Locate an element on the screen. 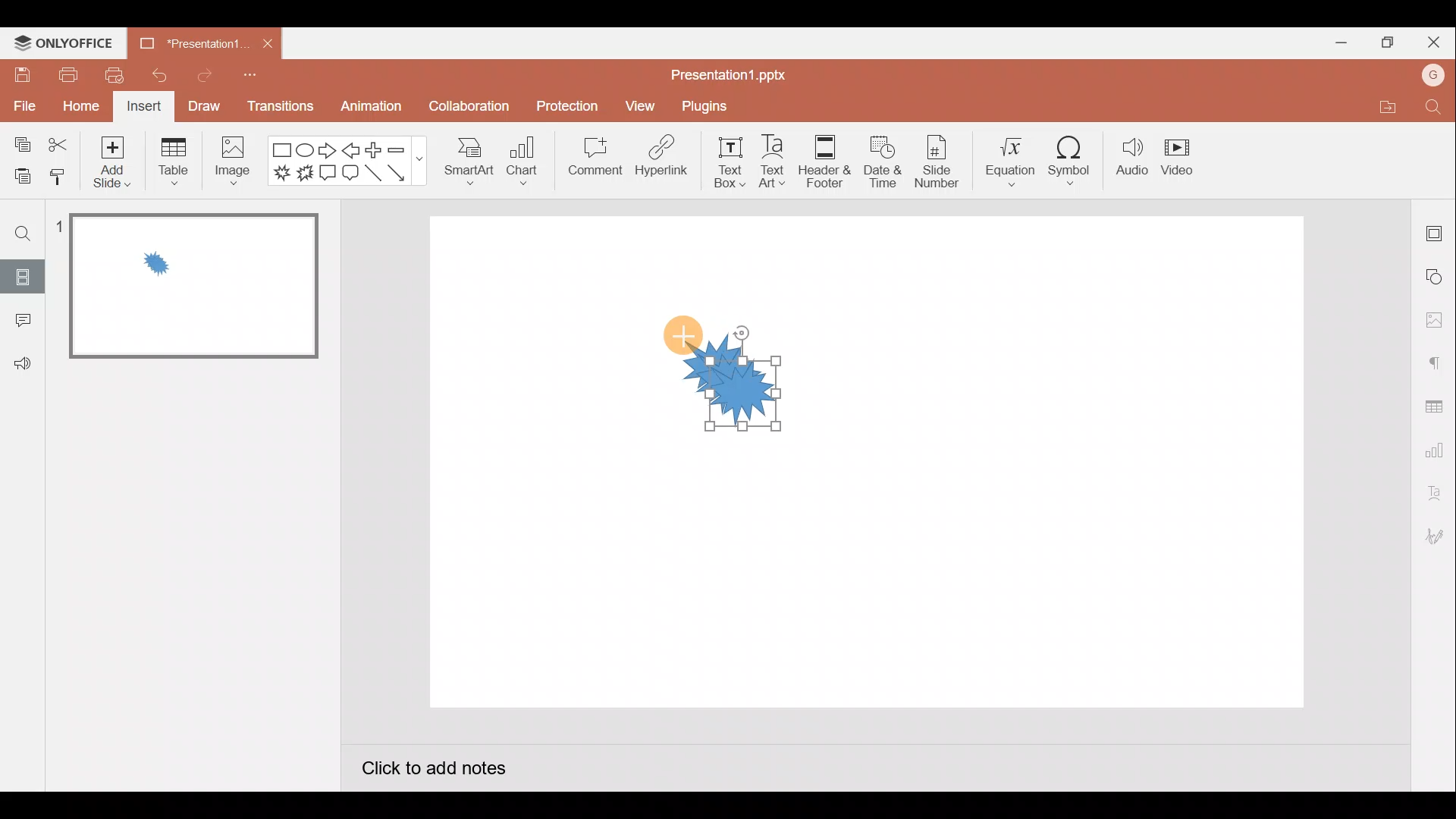 This screenshot has height=819, width=1456. Left arrow is located at coordinates (352, 149).